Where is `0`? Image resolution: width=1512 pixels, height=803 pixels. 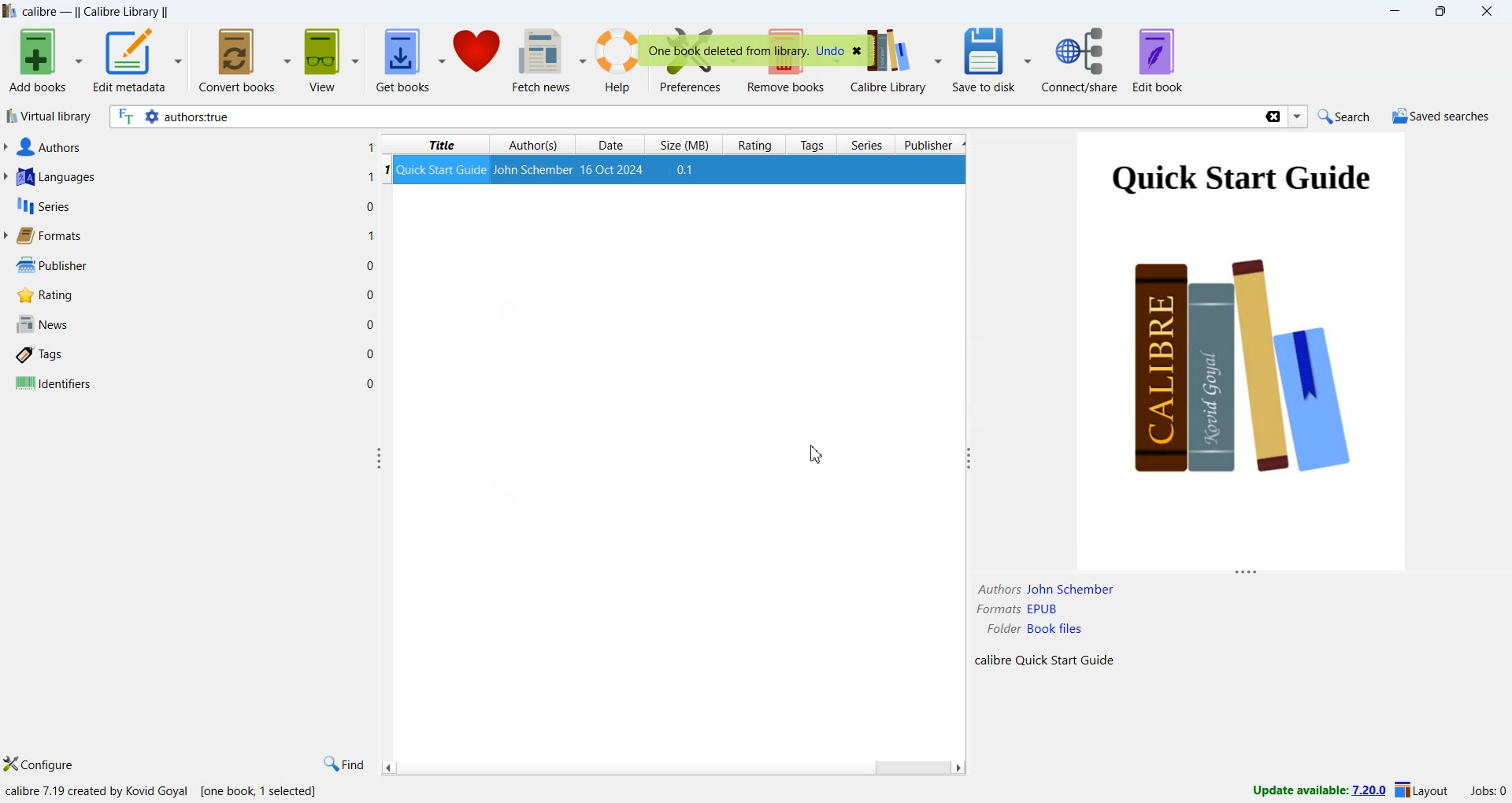 0 is located at coordinates (370, 266).